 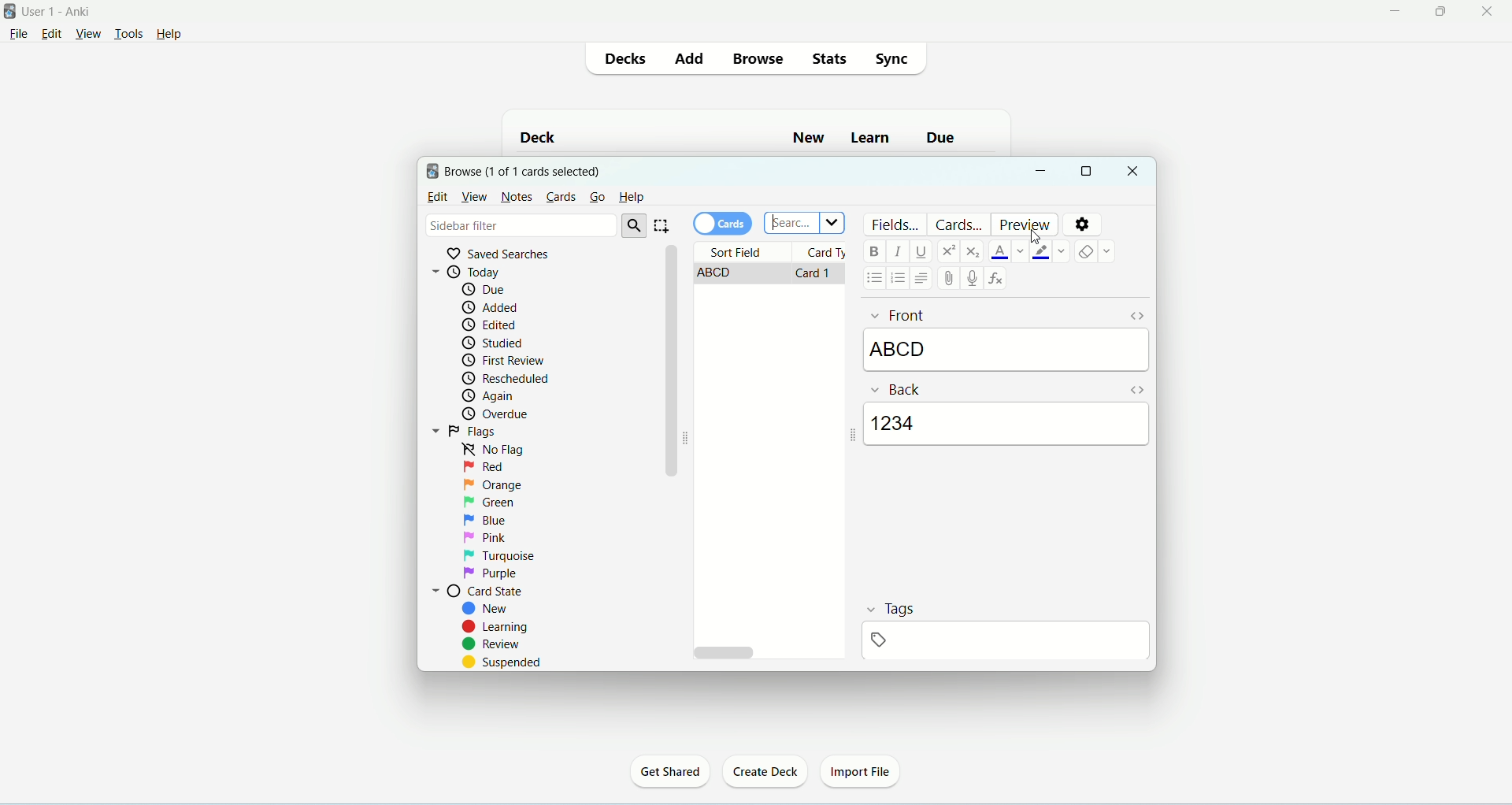 What do you see at coordinates (669, 450) in the screenshot?
I see `vertical scroll bar` at bounding box center [669, 450].